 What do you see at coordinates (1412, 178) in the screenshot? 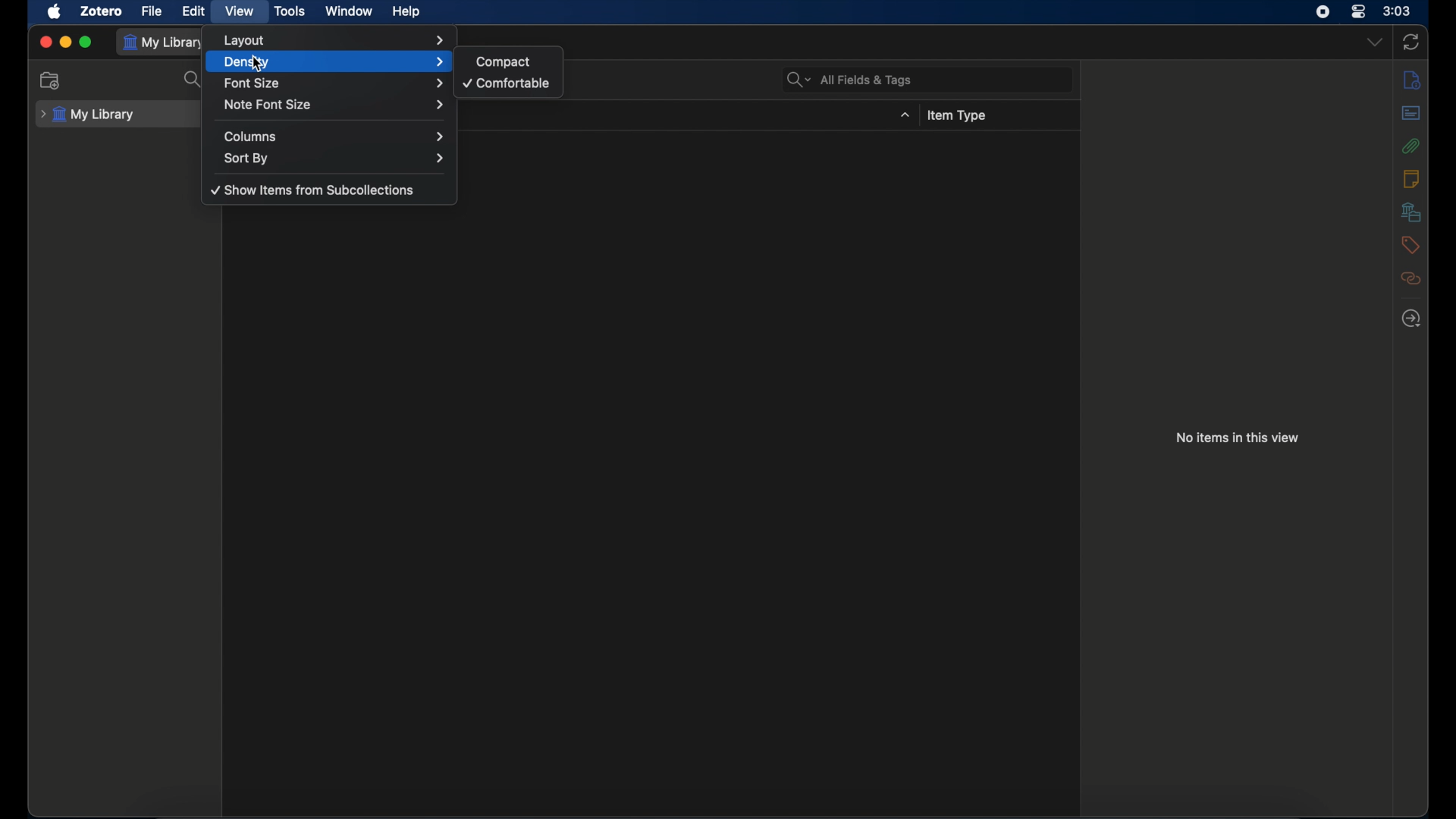
I see `notes` at bounding box center [1412, 178].